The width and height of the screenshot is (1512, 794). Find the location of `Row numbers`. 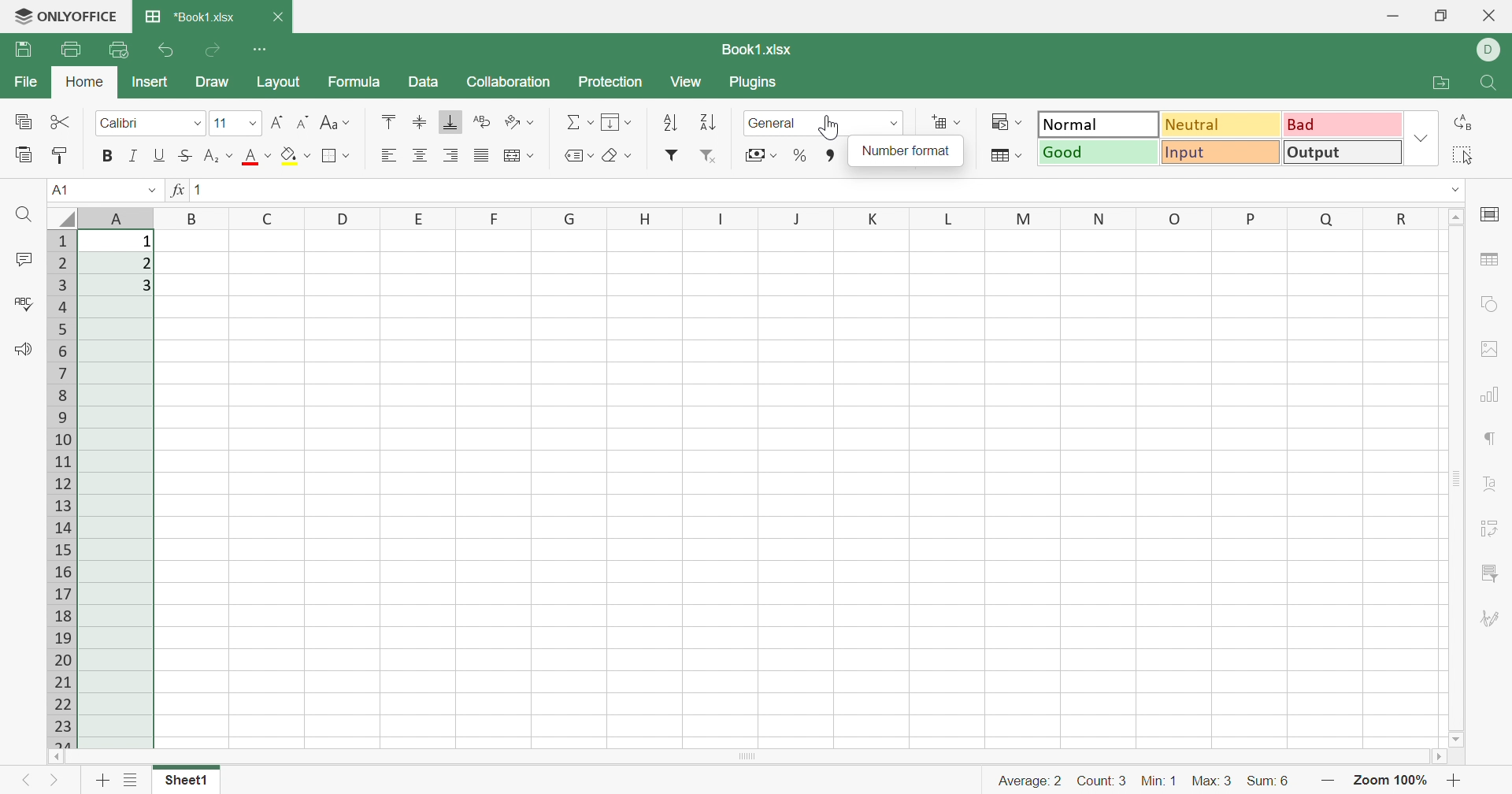

Row numbers is located at coordinates (64, 488).